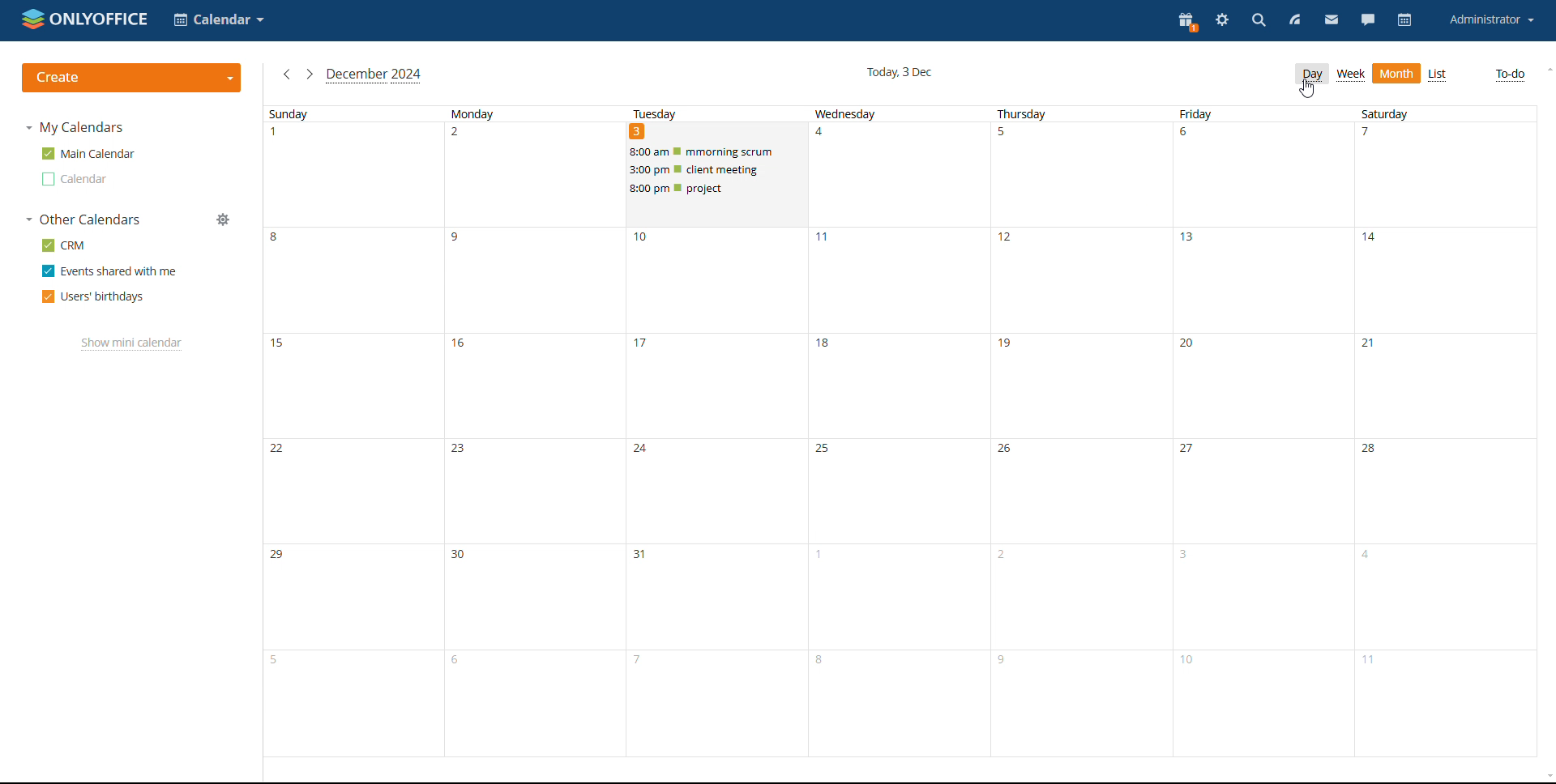 Image resolution: width=1556 pixels, height=784 pixels. I want to click on crm, so click(62, 245).